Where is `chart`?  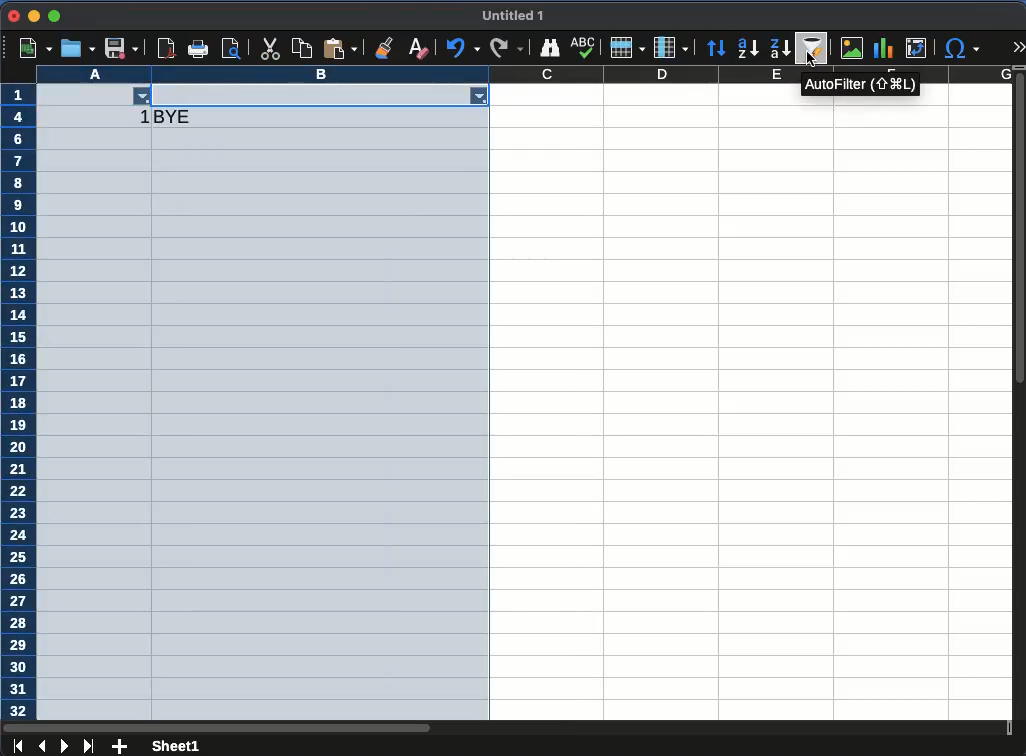
chart is located at coordinates (881, 49).